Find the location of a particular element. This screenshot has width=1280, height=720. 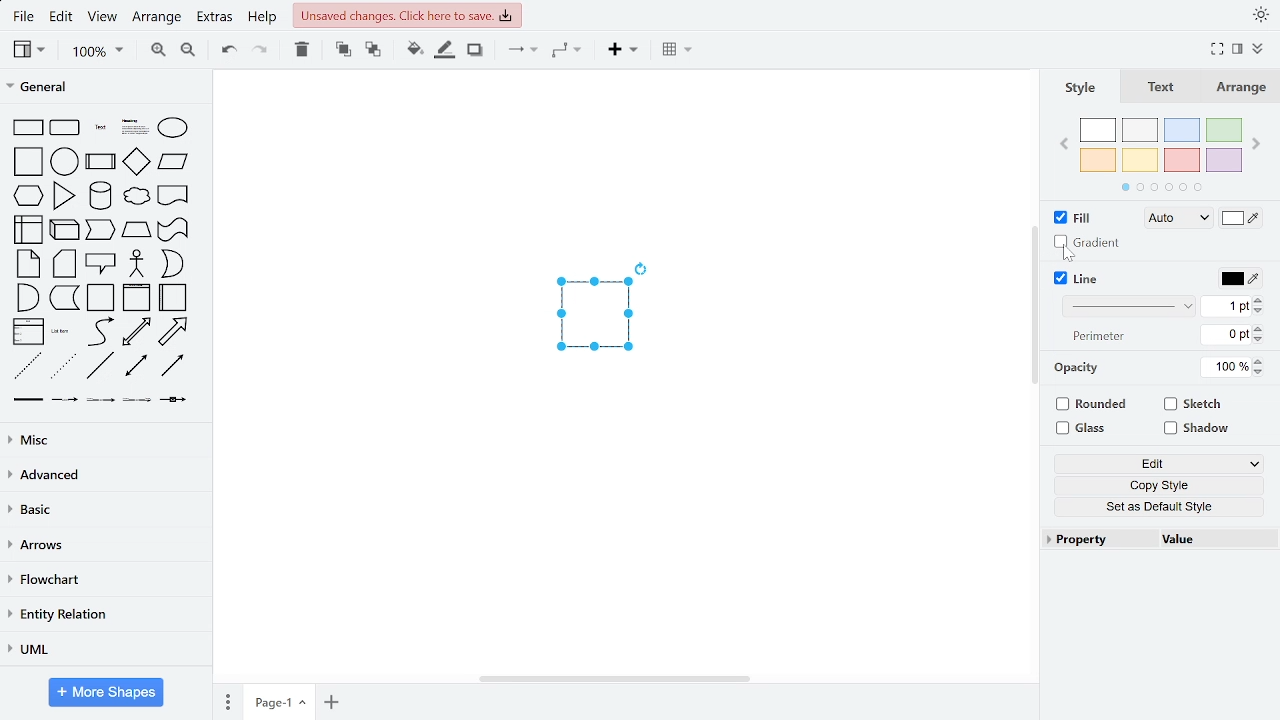

Gradient is located at coordinates (1087, 243).